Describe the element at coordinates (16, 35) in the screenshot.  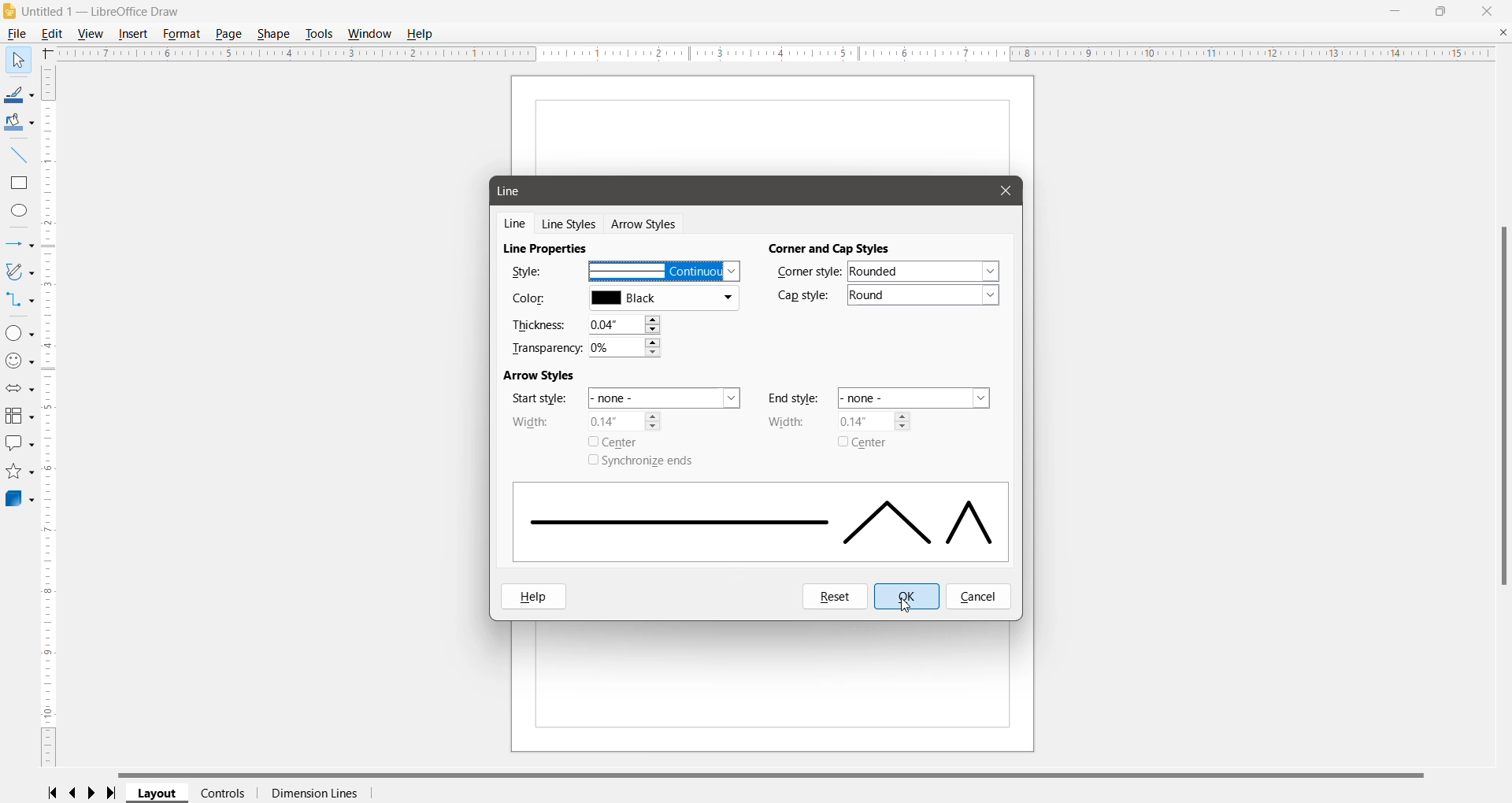
I see `File` at that location.